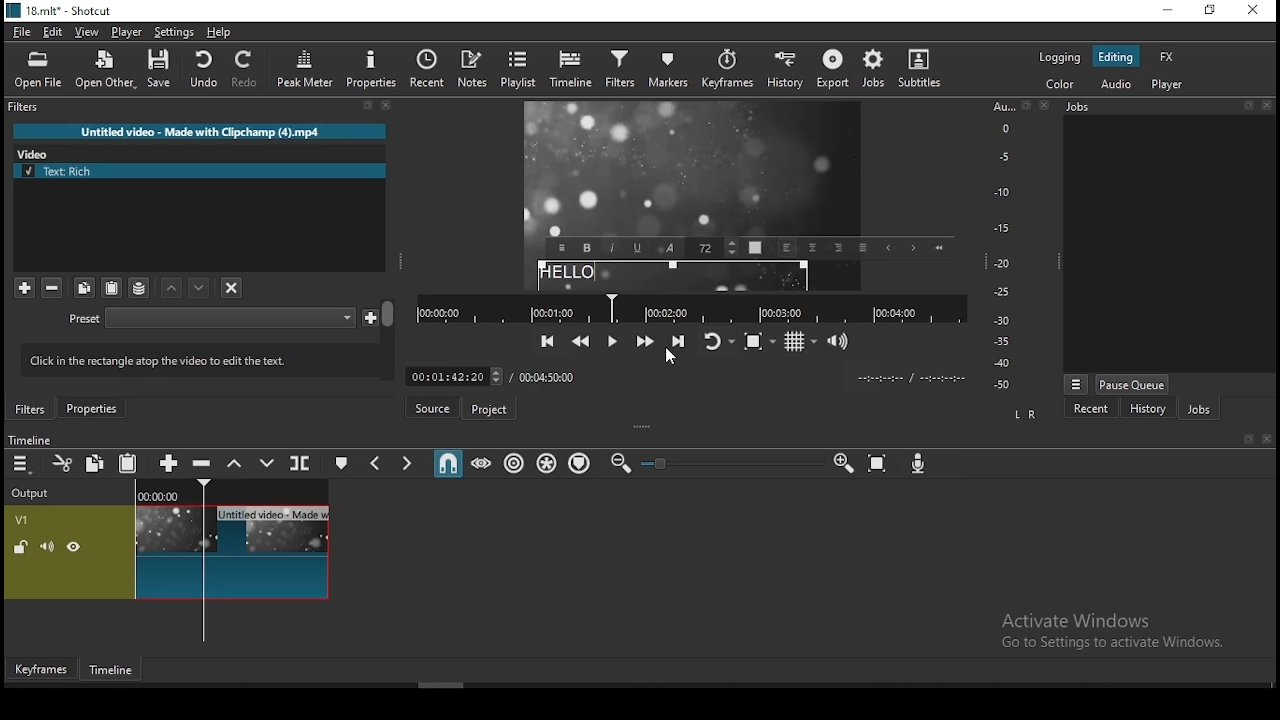  What do you see at coordinates (368, 106) in the screenshot?
I see `Detach` at bounding box center [368, 106].